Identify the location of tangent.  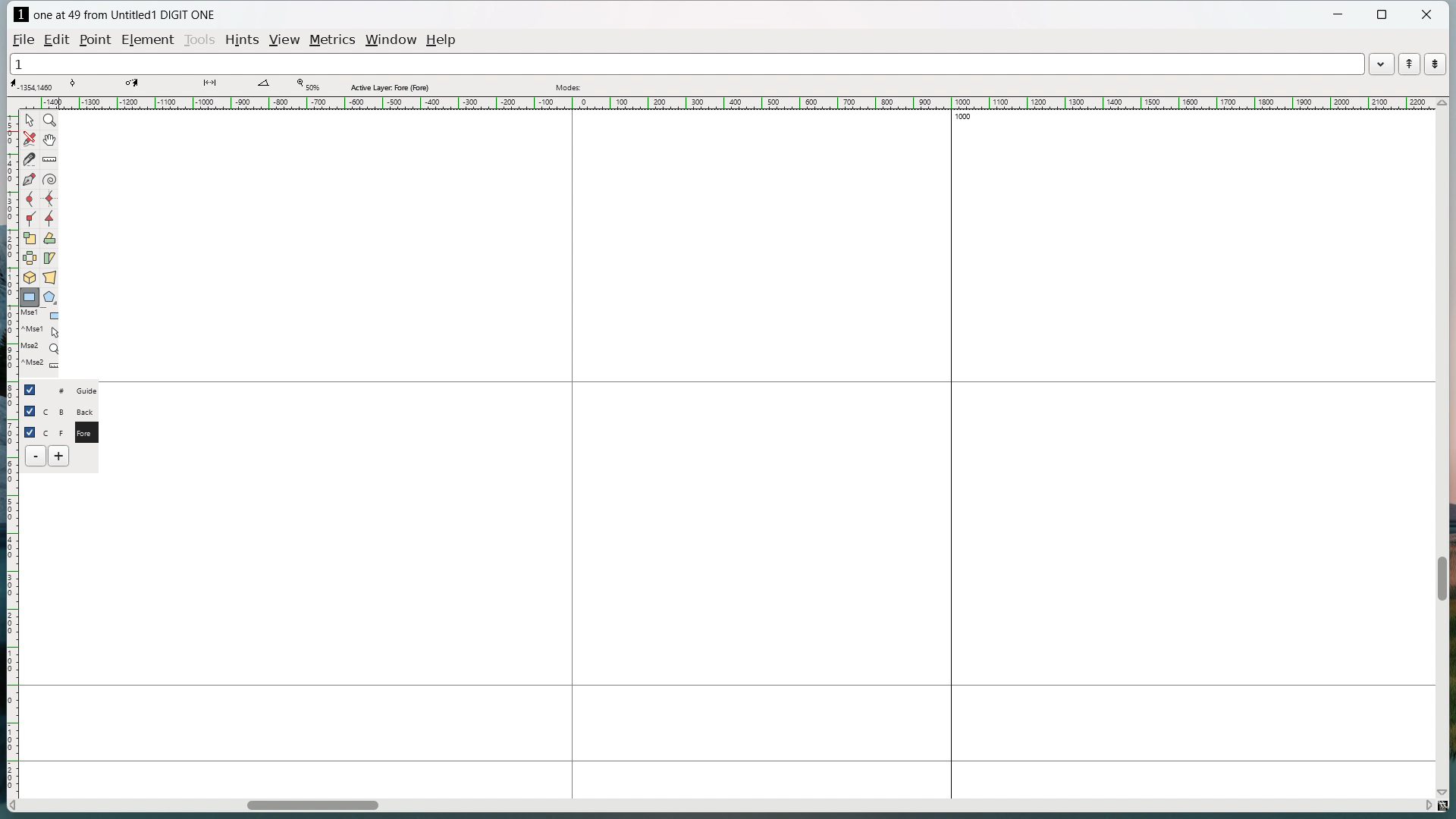
(74, 83).